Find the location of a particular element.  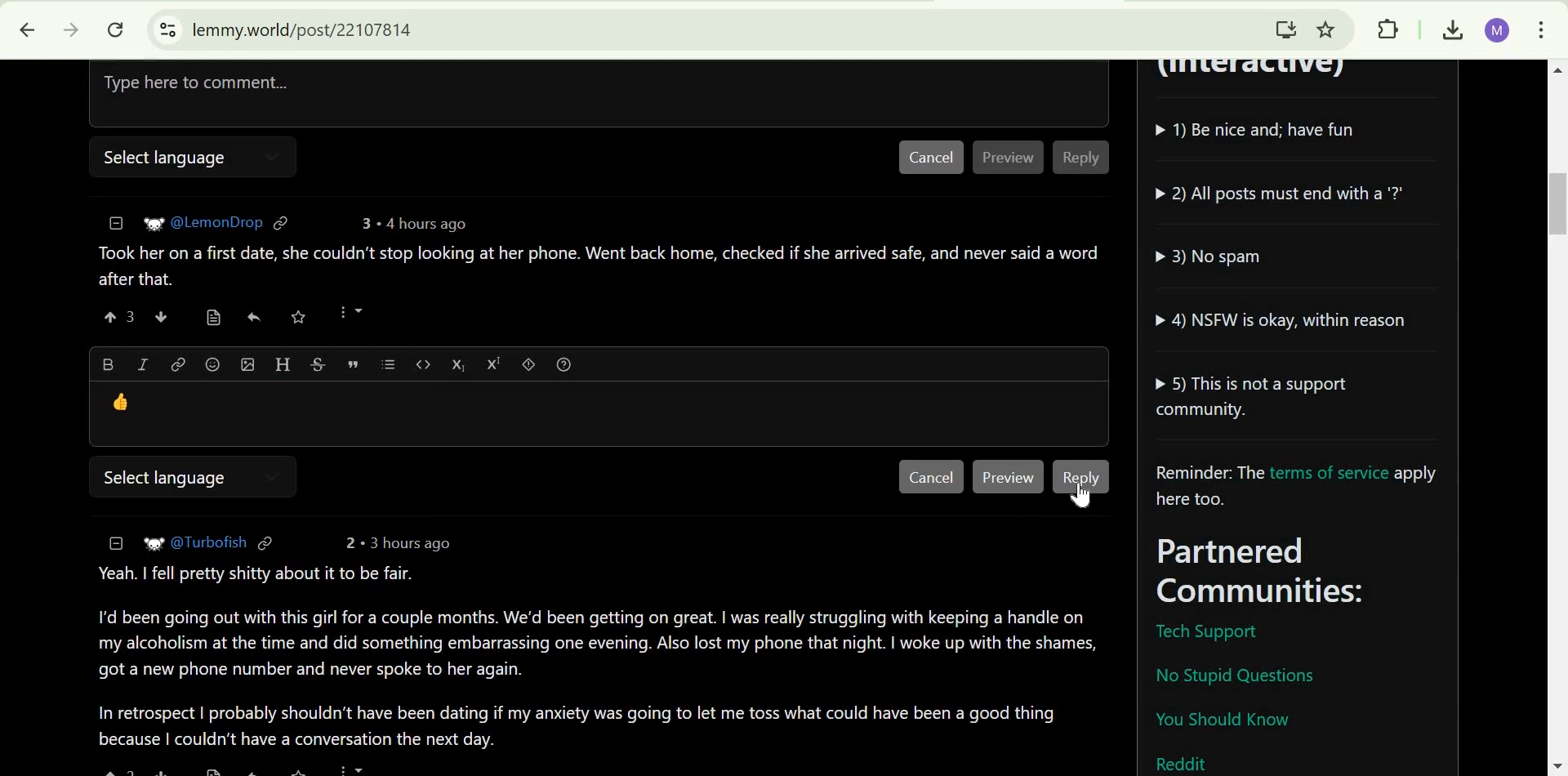

click to go forward, hold to see history is located at coordinates (67, 30).